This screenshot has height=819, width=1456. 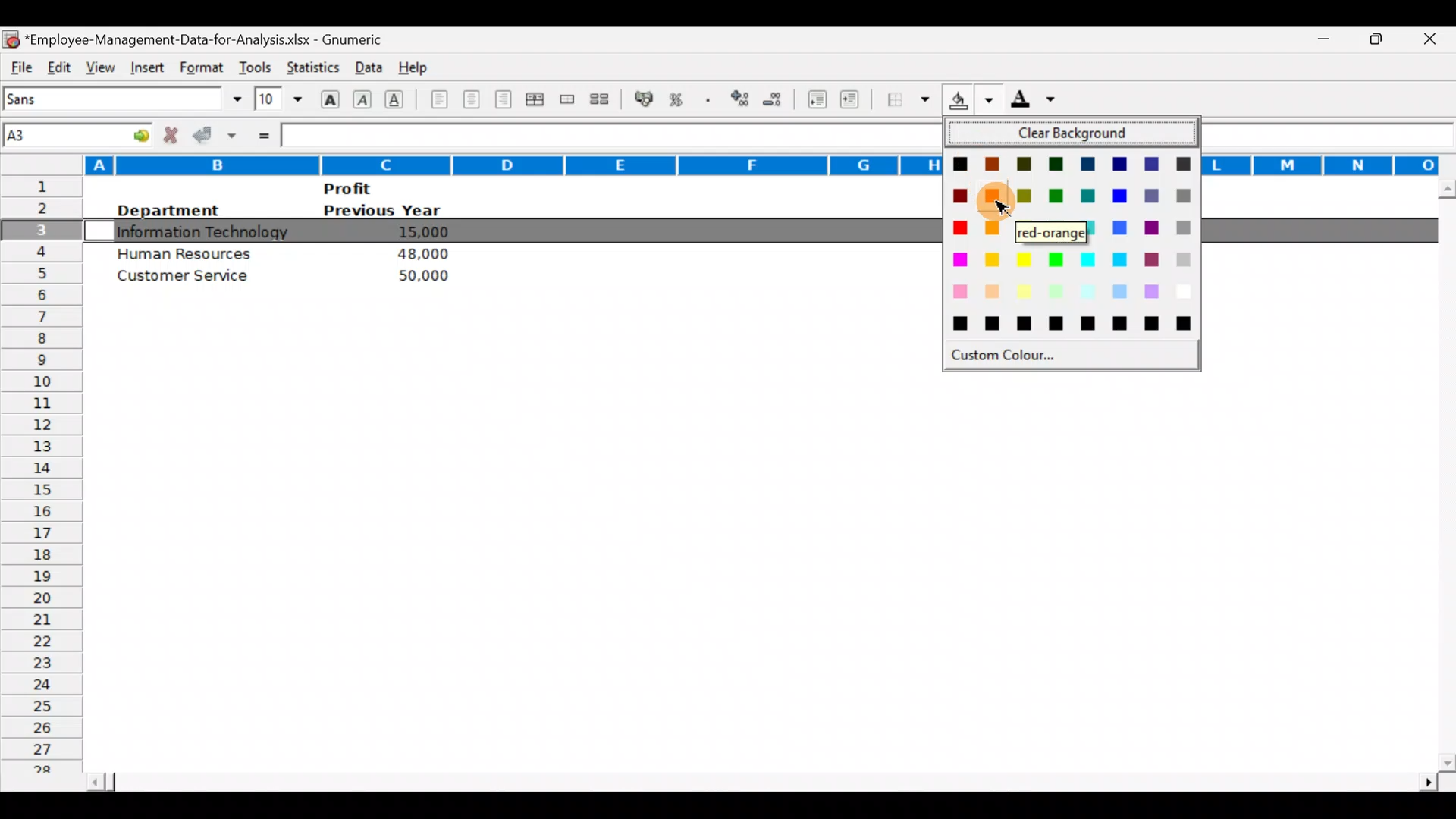 I want to click on Format, so click(x=199, y=67).